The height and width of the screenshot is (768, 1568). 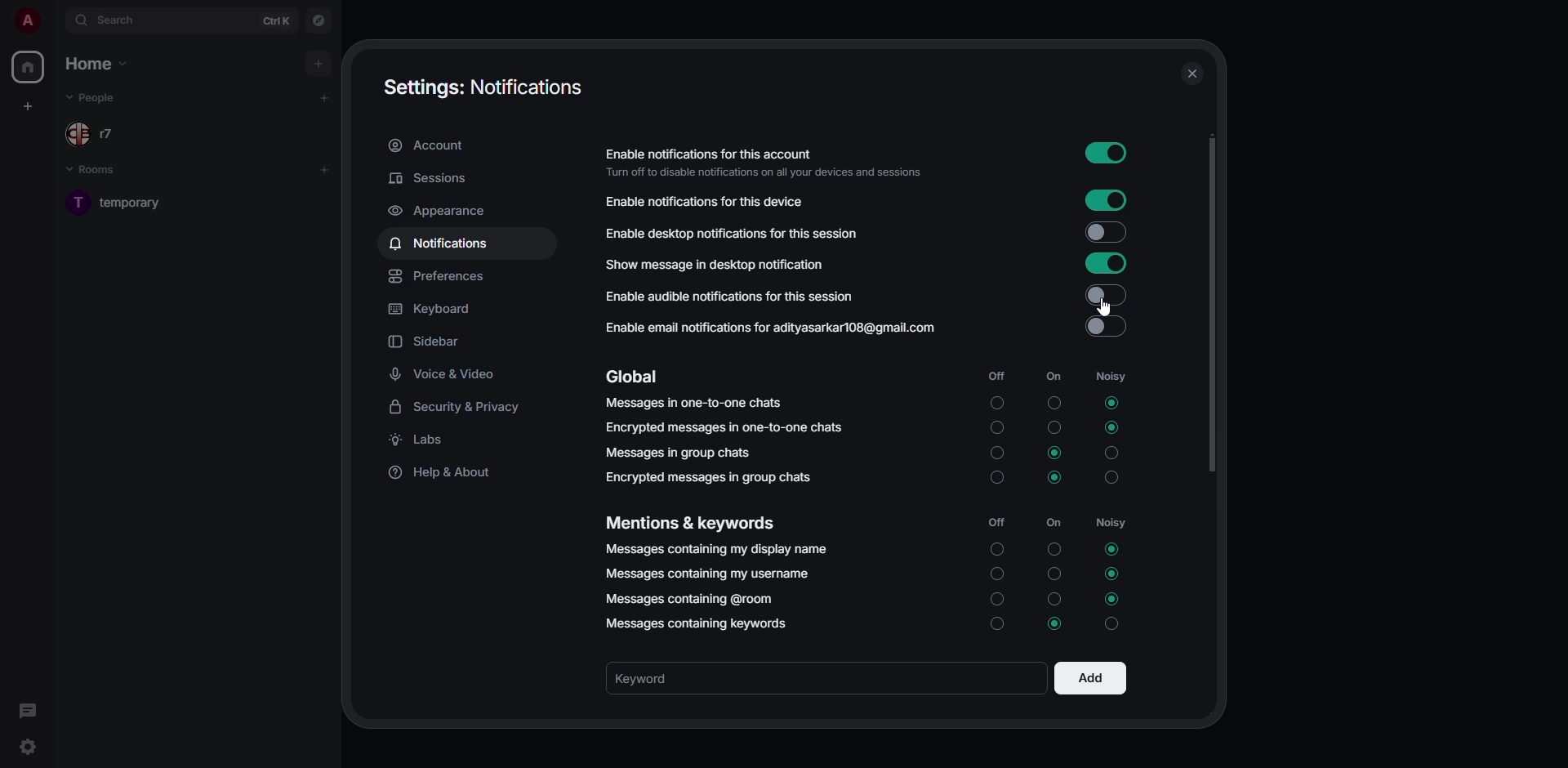 What do you see at coordinates (663, 679) in the screenshot?
I see `keyword` at bounding box center [663, 679].